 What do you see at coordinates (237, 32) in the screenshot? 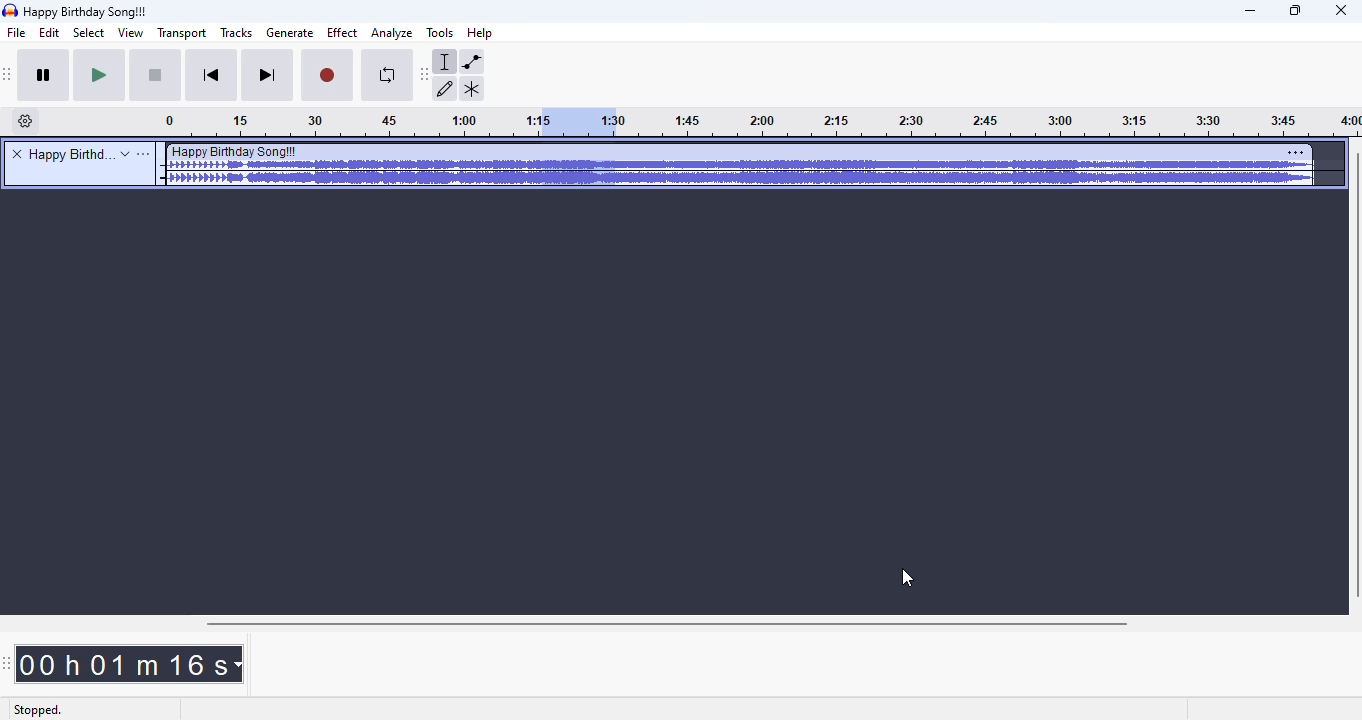
I see `tracks` at bounding box center [237, 32].